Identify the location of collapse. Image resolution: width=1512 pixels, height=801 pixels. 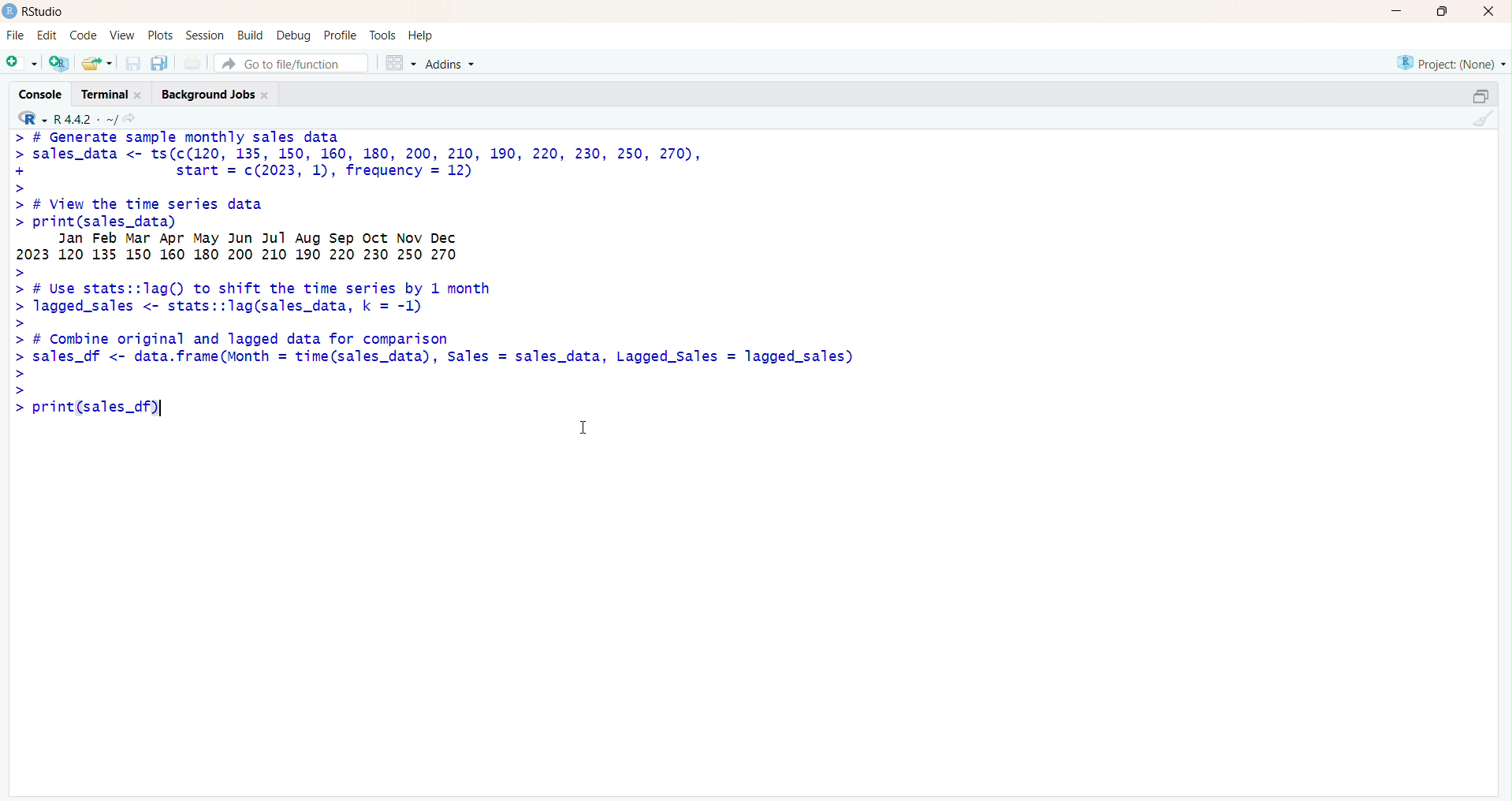
(1480, 95).